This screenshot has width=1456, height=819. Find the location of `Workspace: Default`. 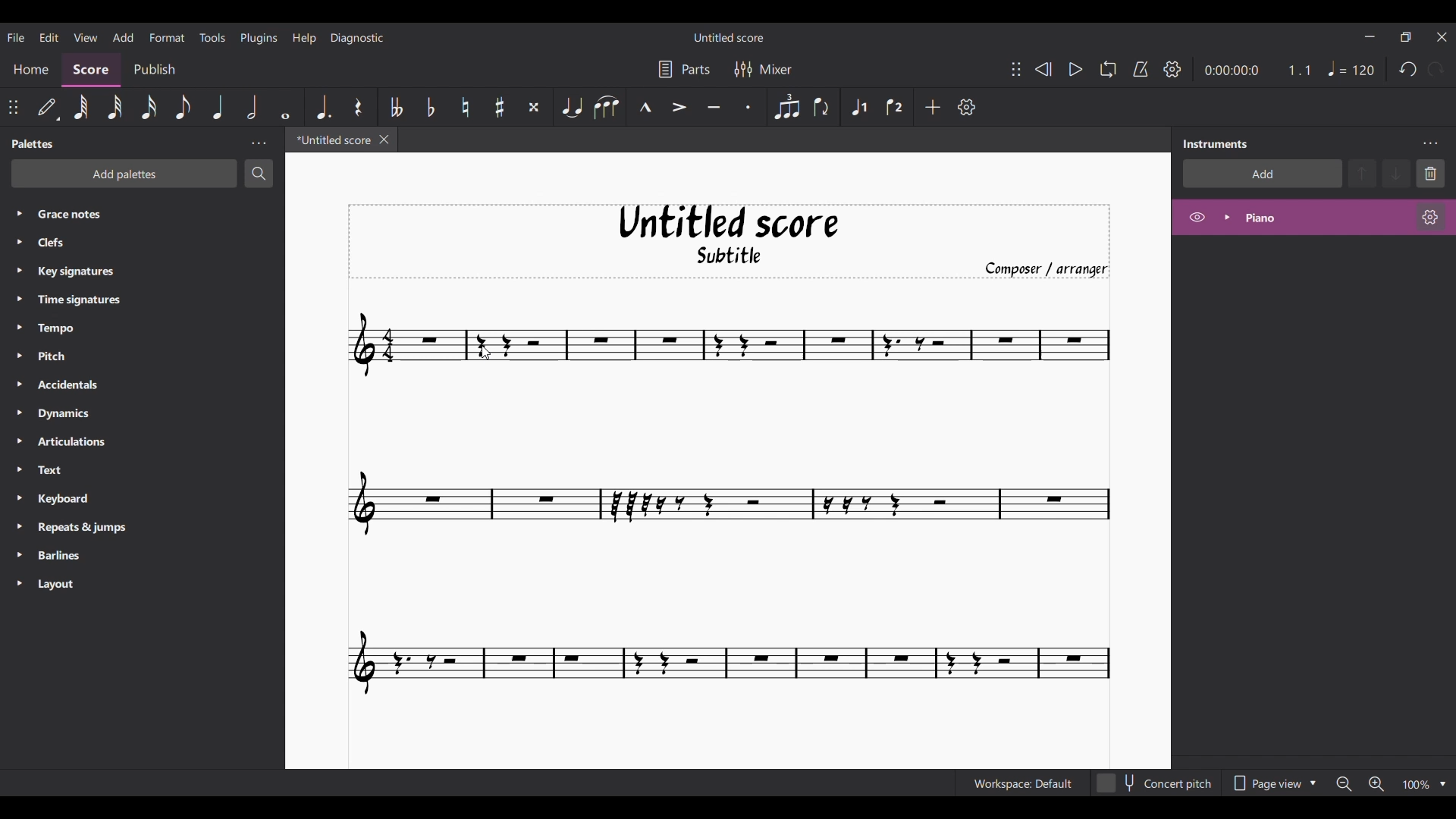

Workspace: Default is located at coordinates (1022, 783).